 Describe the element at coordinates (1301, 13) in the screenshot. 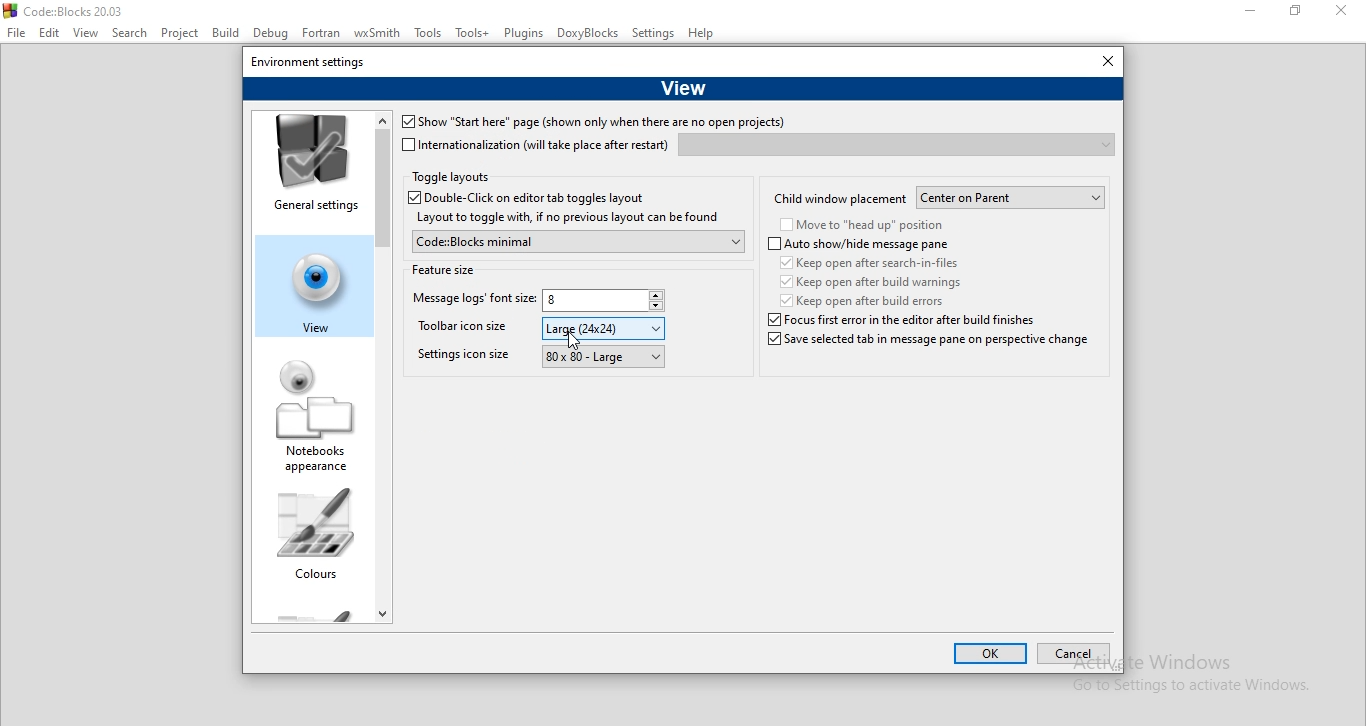

I see `restore` at that location.